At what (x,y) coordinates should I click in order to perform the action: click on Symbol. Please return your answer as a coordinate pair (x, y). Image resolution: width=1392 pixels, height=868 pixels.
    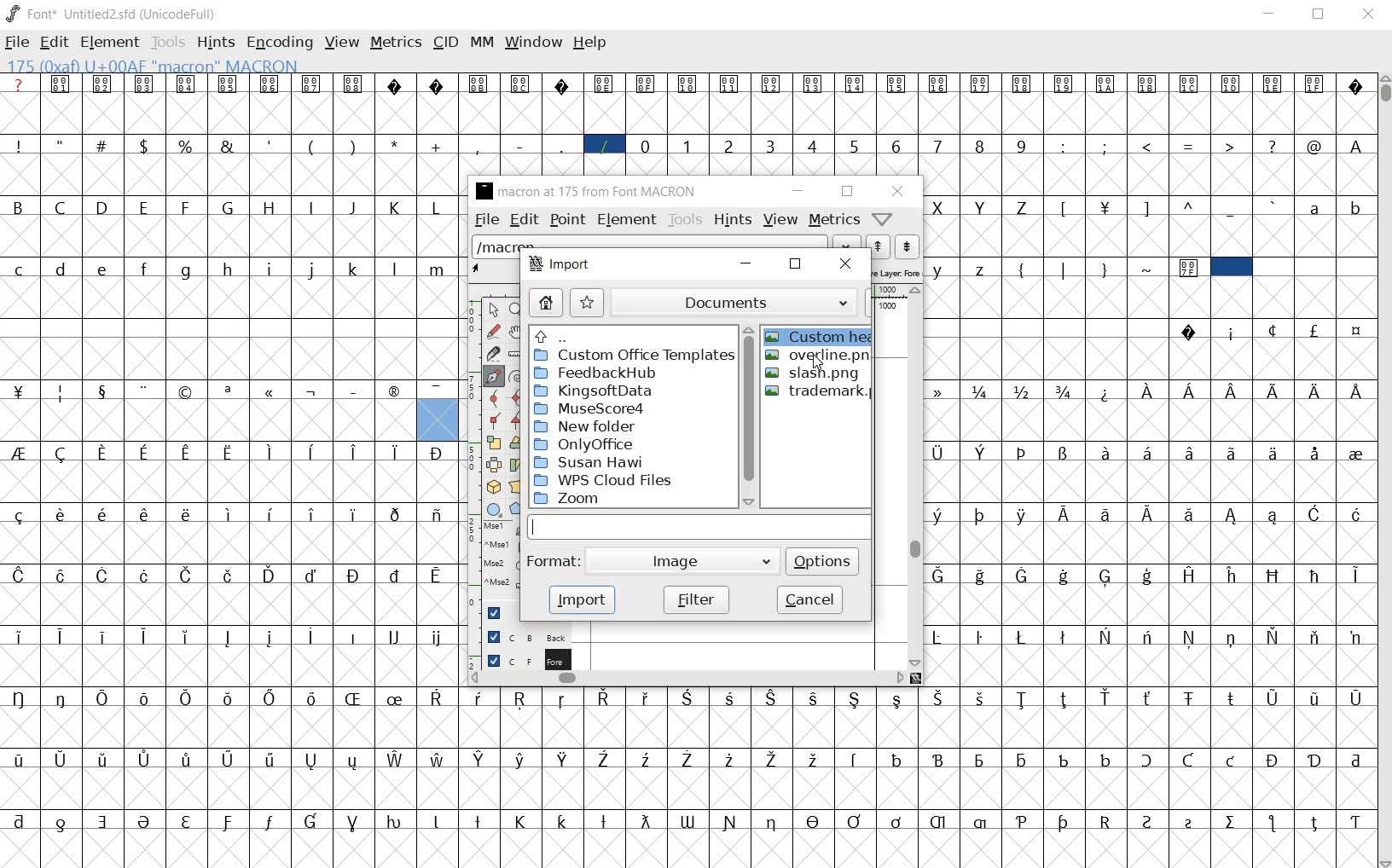
    Looking at the image, I should click on (983, 514).